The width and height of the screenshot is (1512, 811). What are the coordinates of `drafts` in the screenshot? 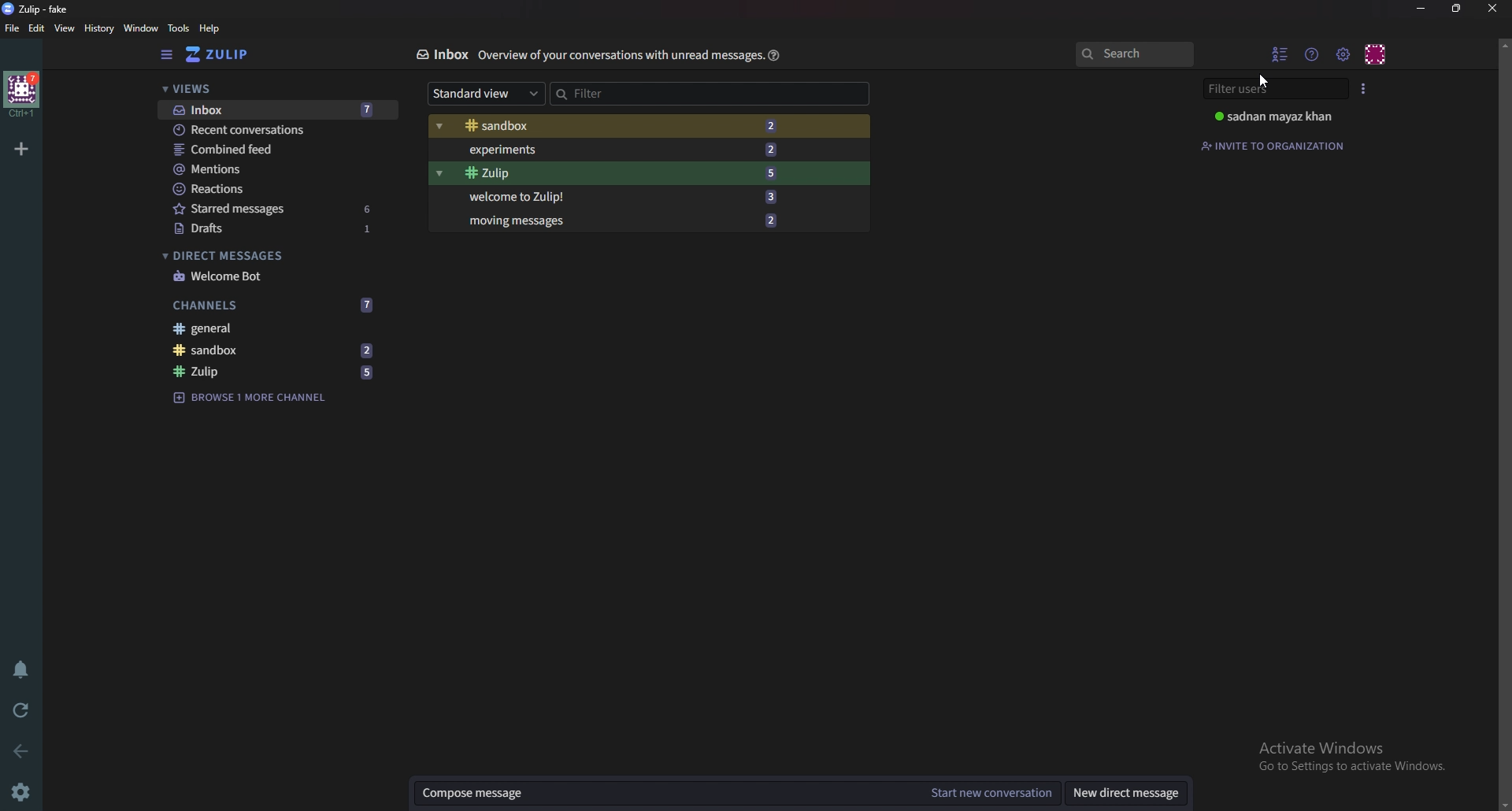 It's located at (277, 228).